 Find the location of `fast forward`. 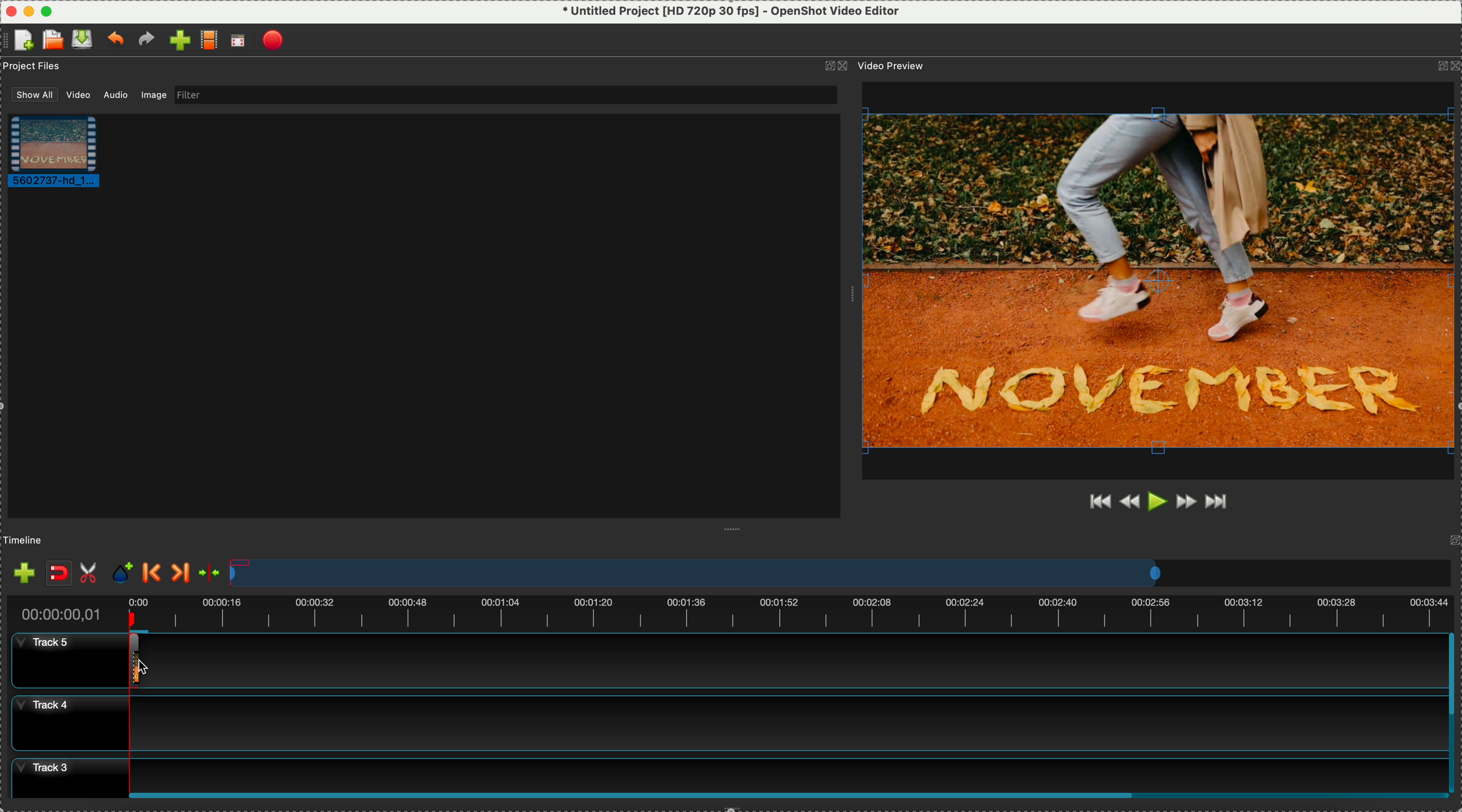

fast forward is located at coordinates (1186, 504).